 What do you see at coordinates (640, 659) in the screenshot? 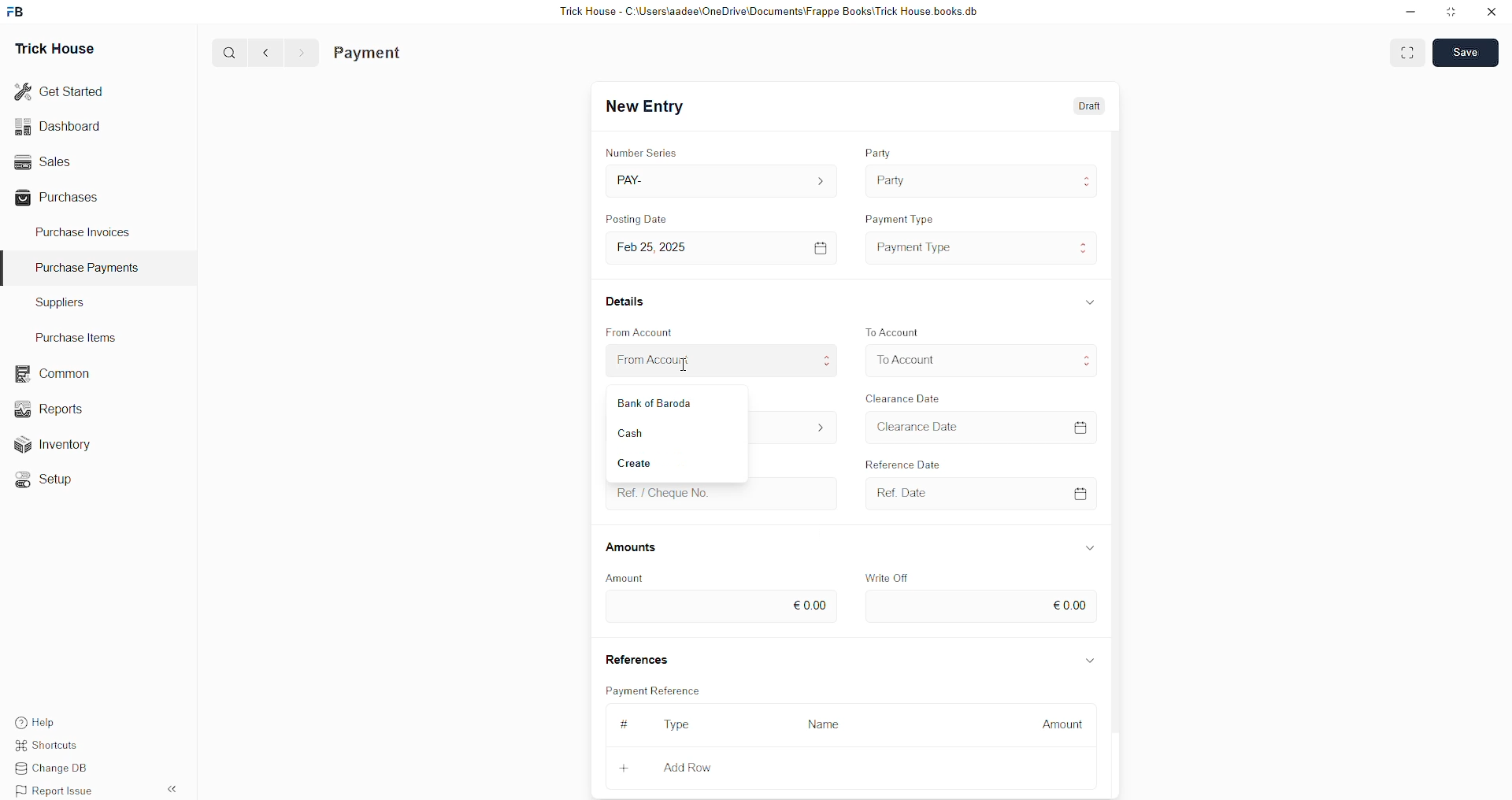
I see `References` at bounding box center [640, 659].